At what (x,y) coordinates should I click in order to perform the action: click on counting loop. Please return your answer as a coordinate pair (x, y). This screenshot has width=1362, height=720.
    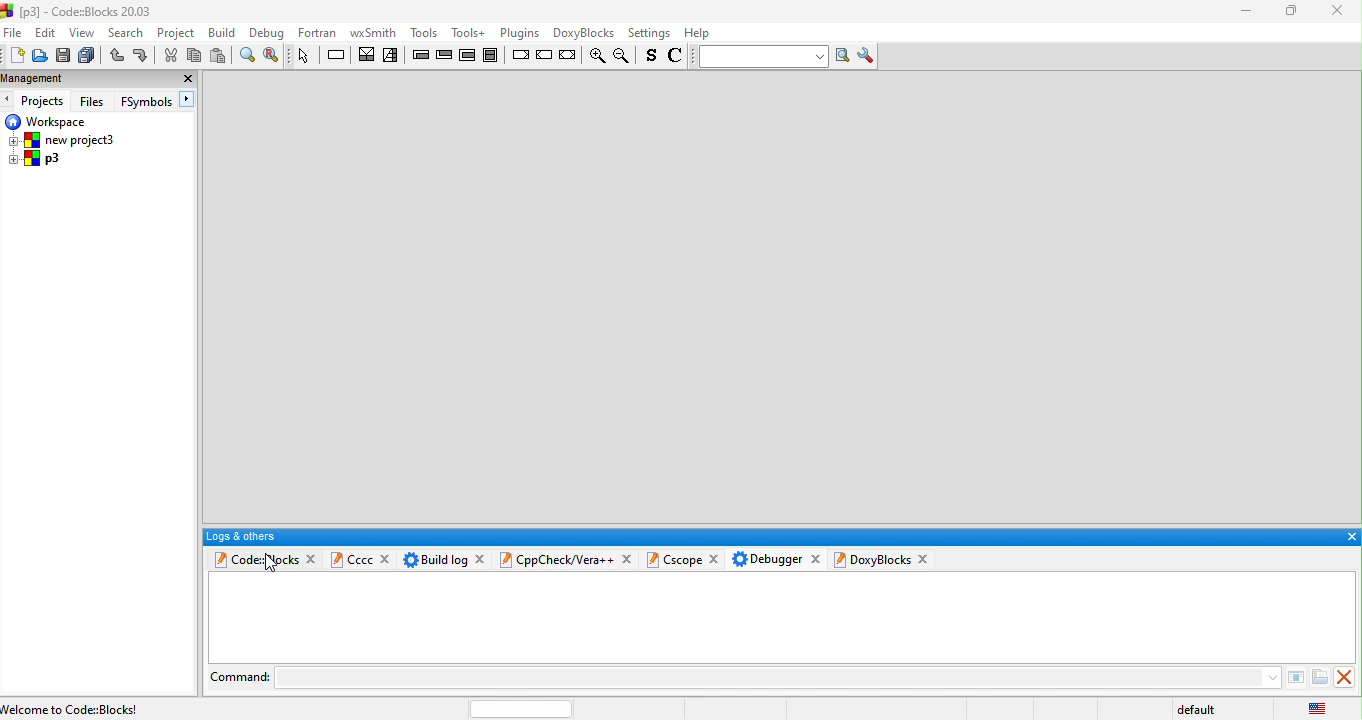
    Looking at the image, I should click on (469, 55).